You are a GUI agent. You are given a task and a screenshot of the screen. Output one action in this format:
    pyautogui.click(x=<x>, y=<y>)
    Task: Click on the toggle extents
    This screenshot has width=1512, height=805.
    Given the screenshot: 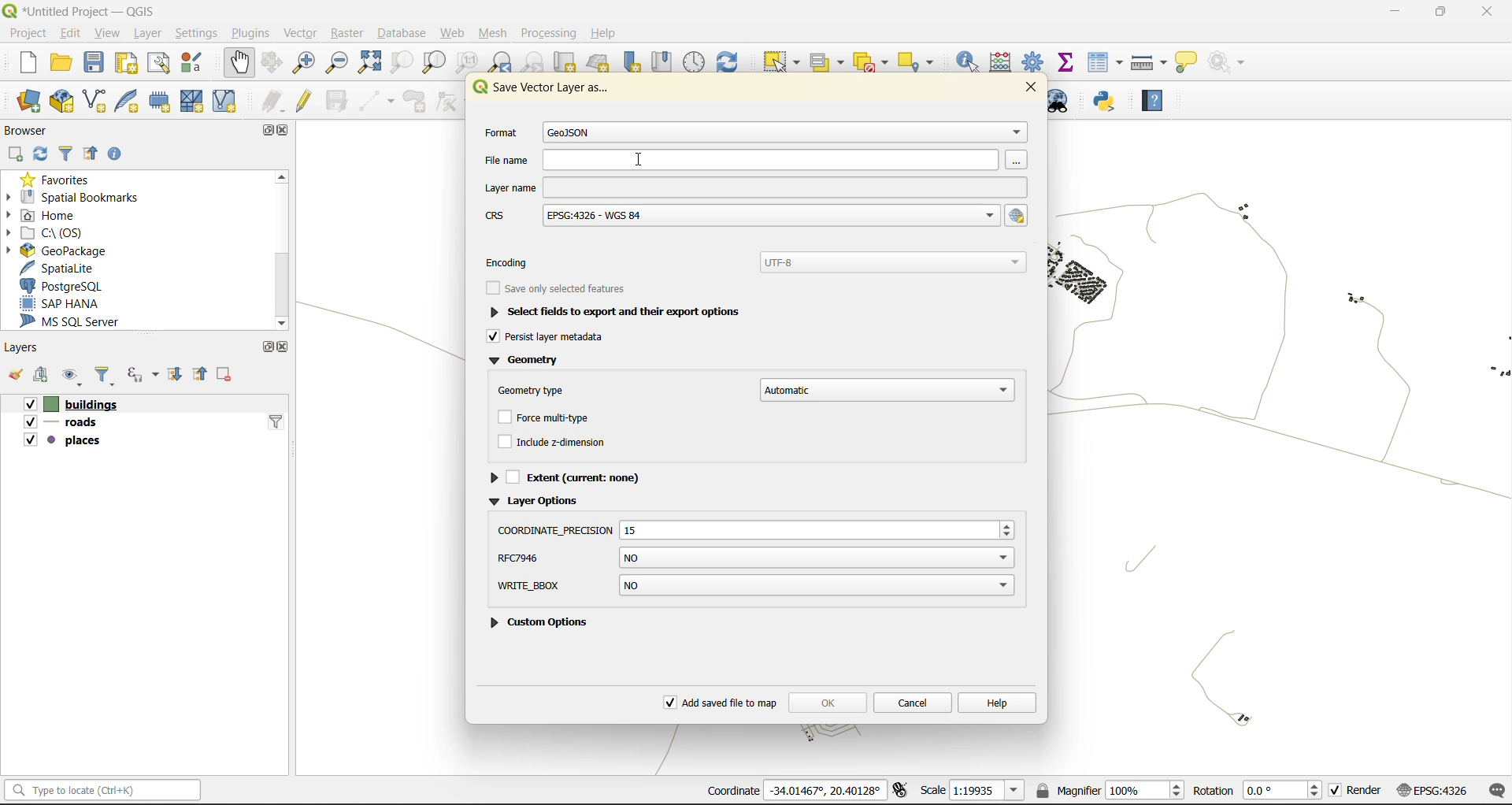 What is the action you would take?
    pyautogui.click(x=903, y=791)
    